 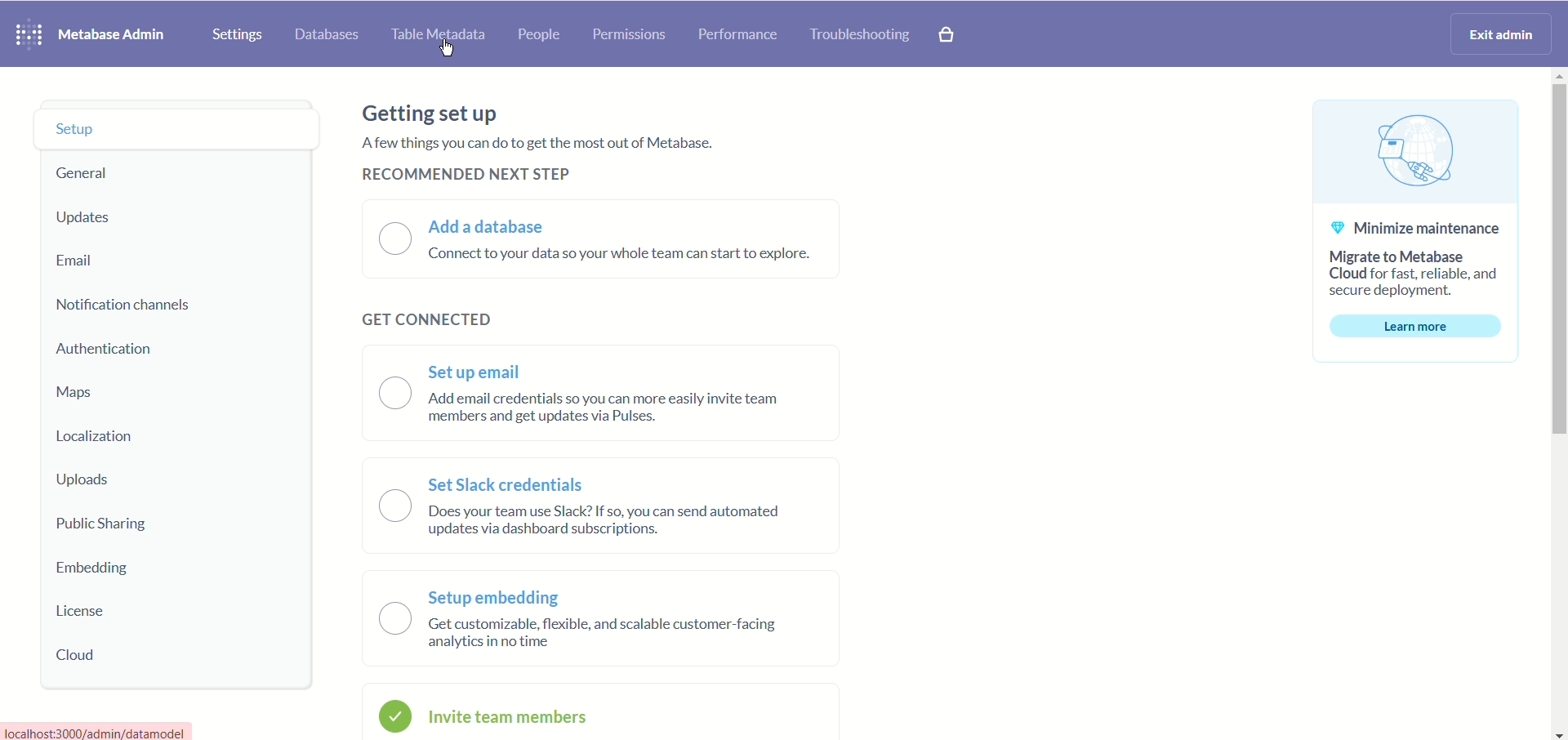 What do you see at coordinates (114, 386) in the screenshot?
I see `Maps` at bounding box center [114, 386].